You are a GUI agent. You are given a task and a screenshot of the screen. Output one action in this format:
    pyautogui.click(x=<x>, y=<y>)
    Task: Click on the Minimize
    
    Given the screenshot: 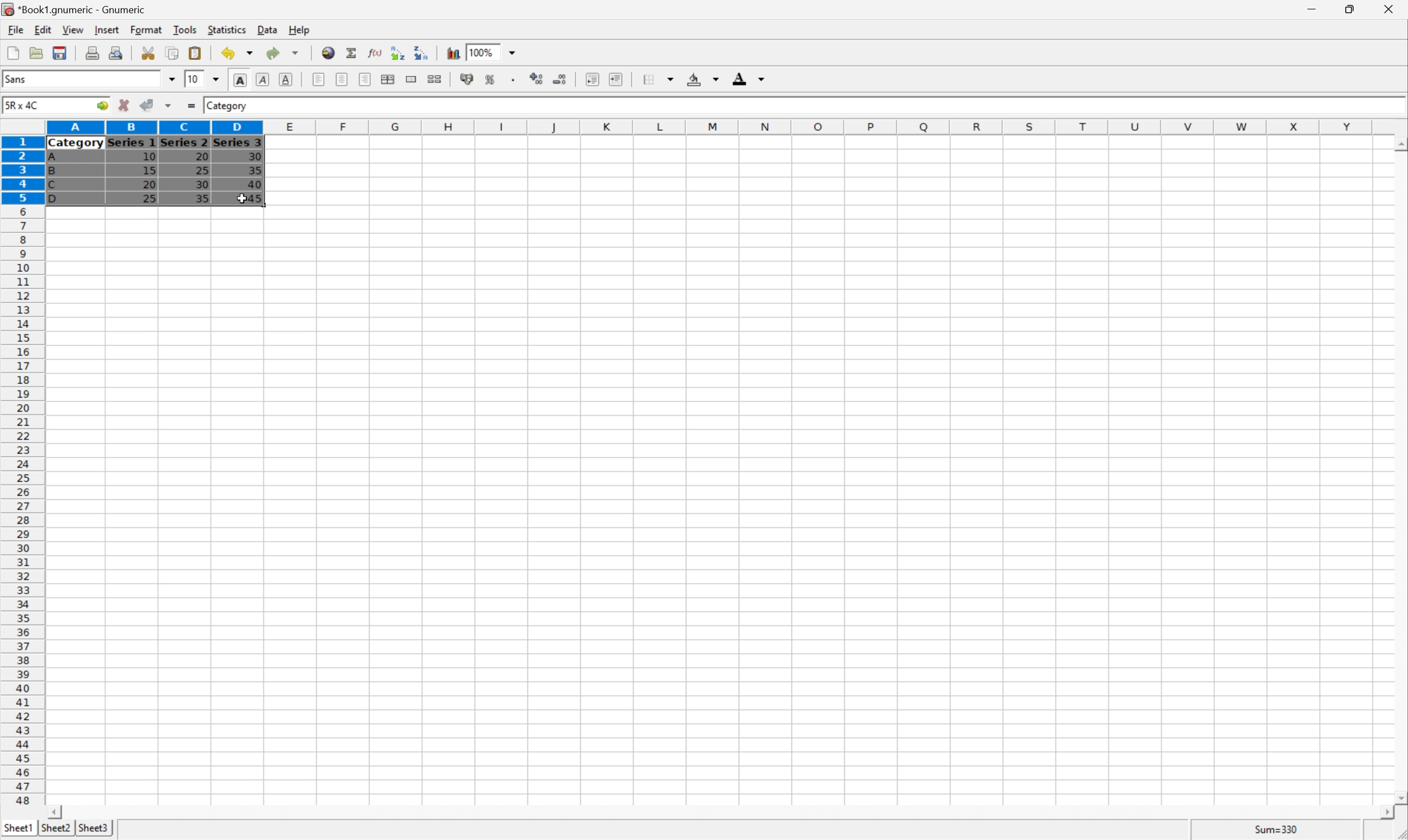 What is the action you would take?
    pyautogui.click(x=1308, y=10)
    